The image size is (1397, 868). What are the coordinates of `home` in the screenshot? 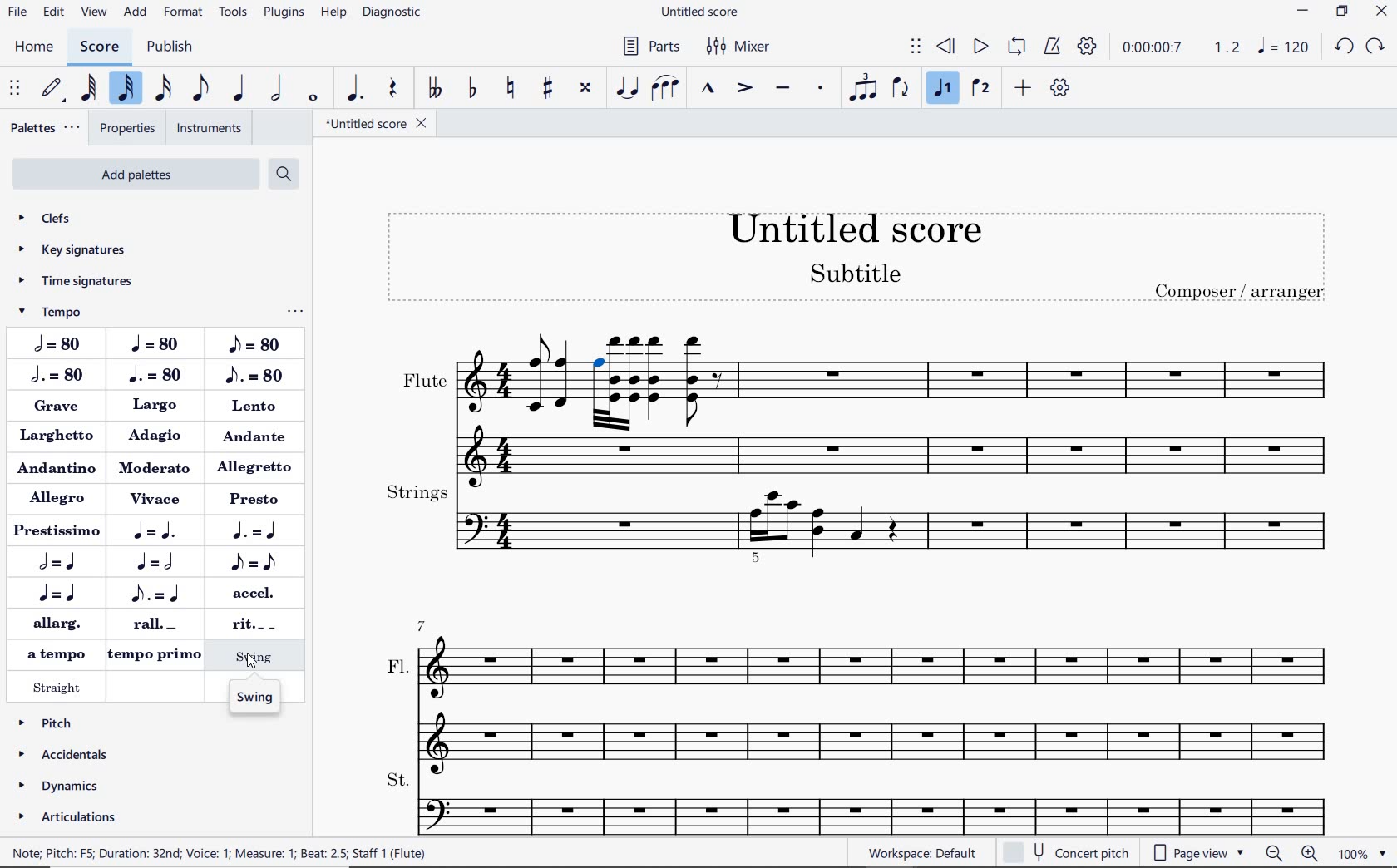 It's located at (34, 46).